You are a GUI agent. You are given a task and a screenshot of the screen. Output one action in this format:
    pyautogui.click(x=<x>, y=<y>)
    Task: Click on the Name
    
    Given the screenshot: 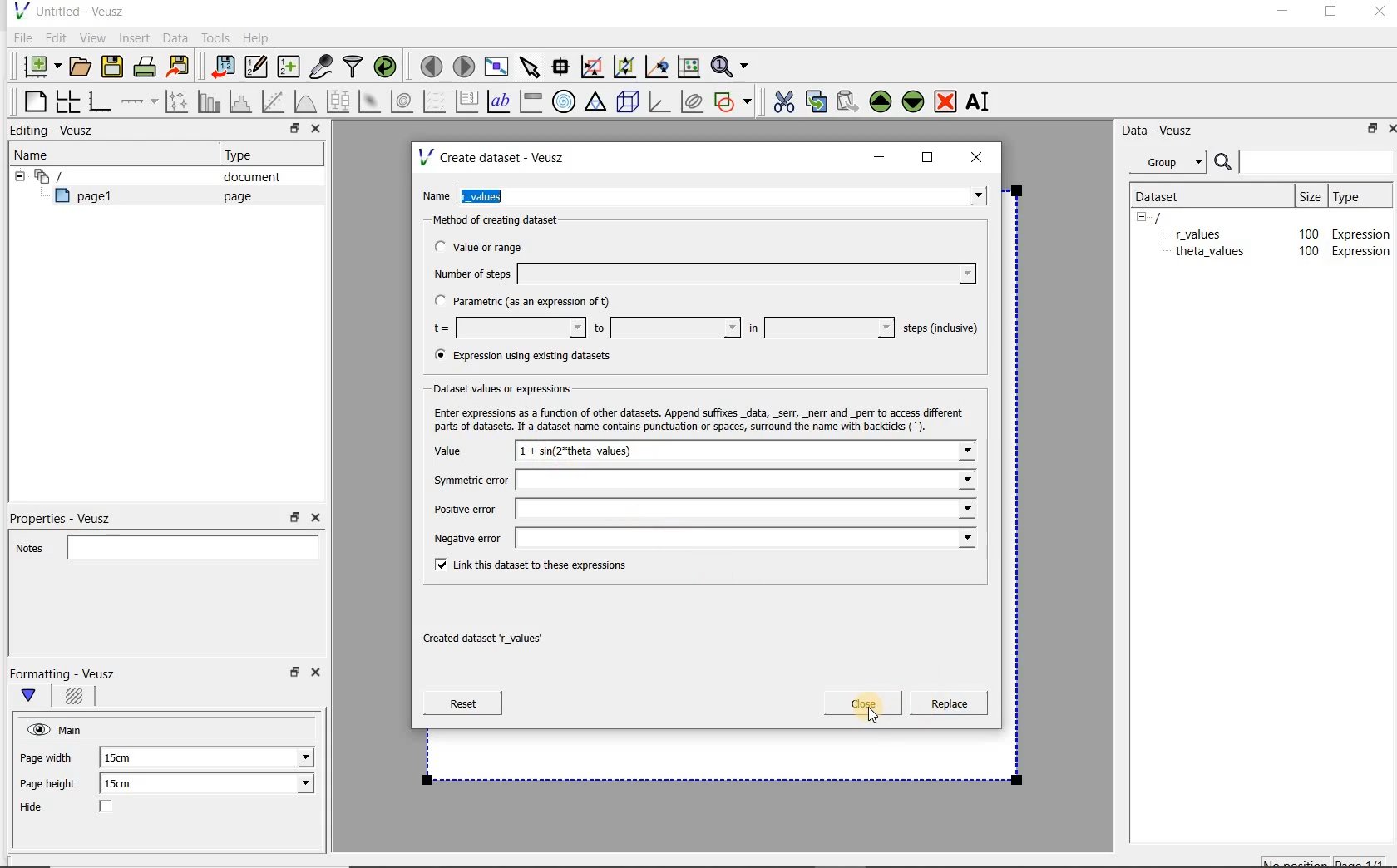 What is the action you would take?
    pyautogui.click(x=436, y=194)
    